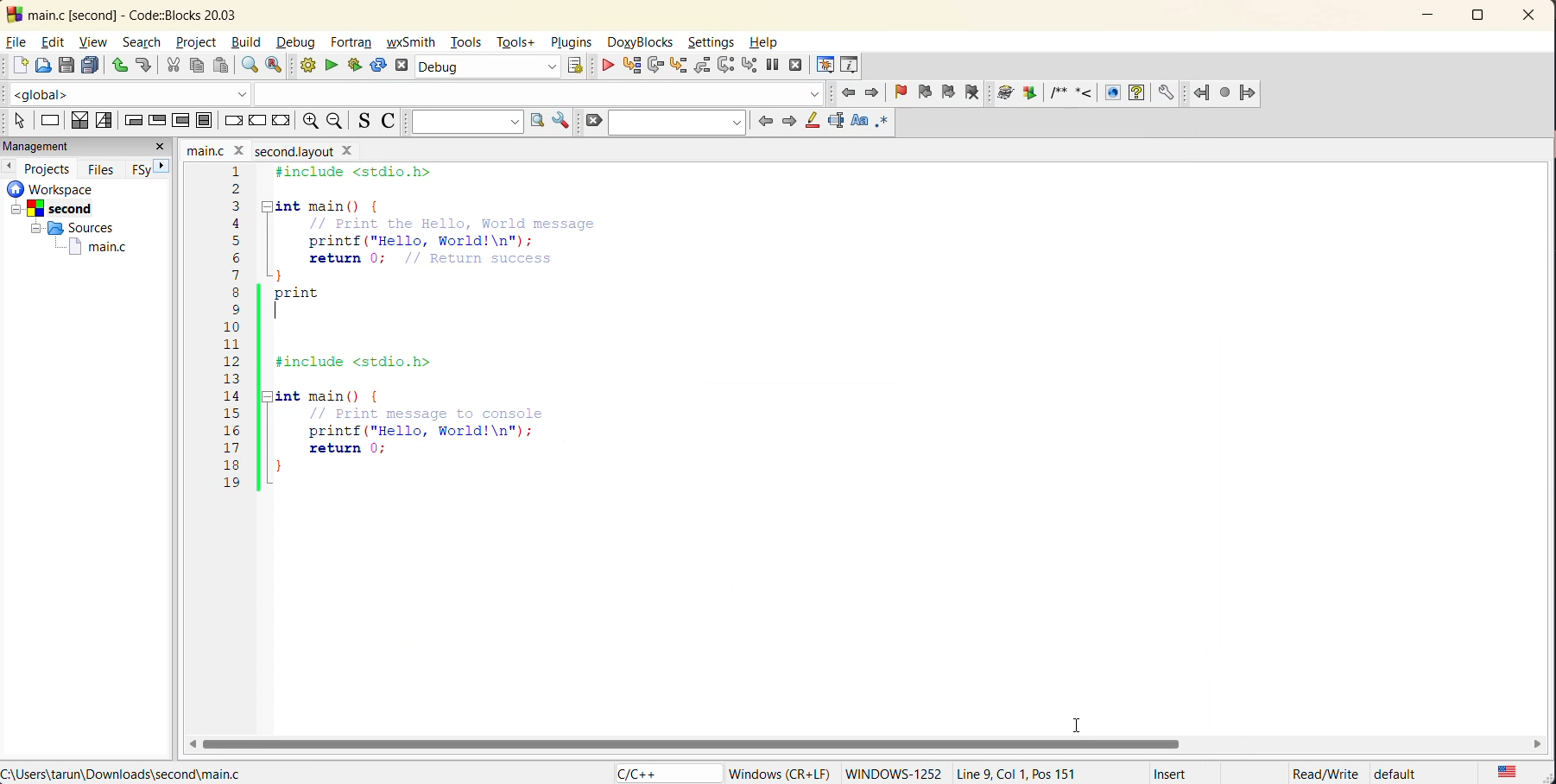 This screenshot has width=1556, height=784. I want to click on step into instruction, so click(749, 65).